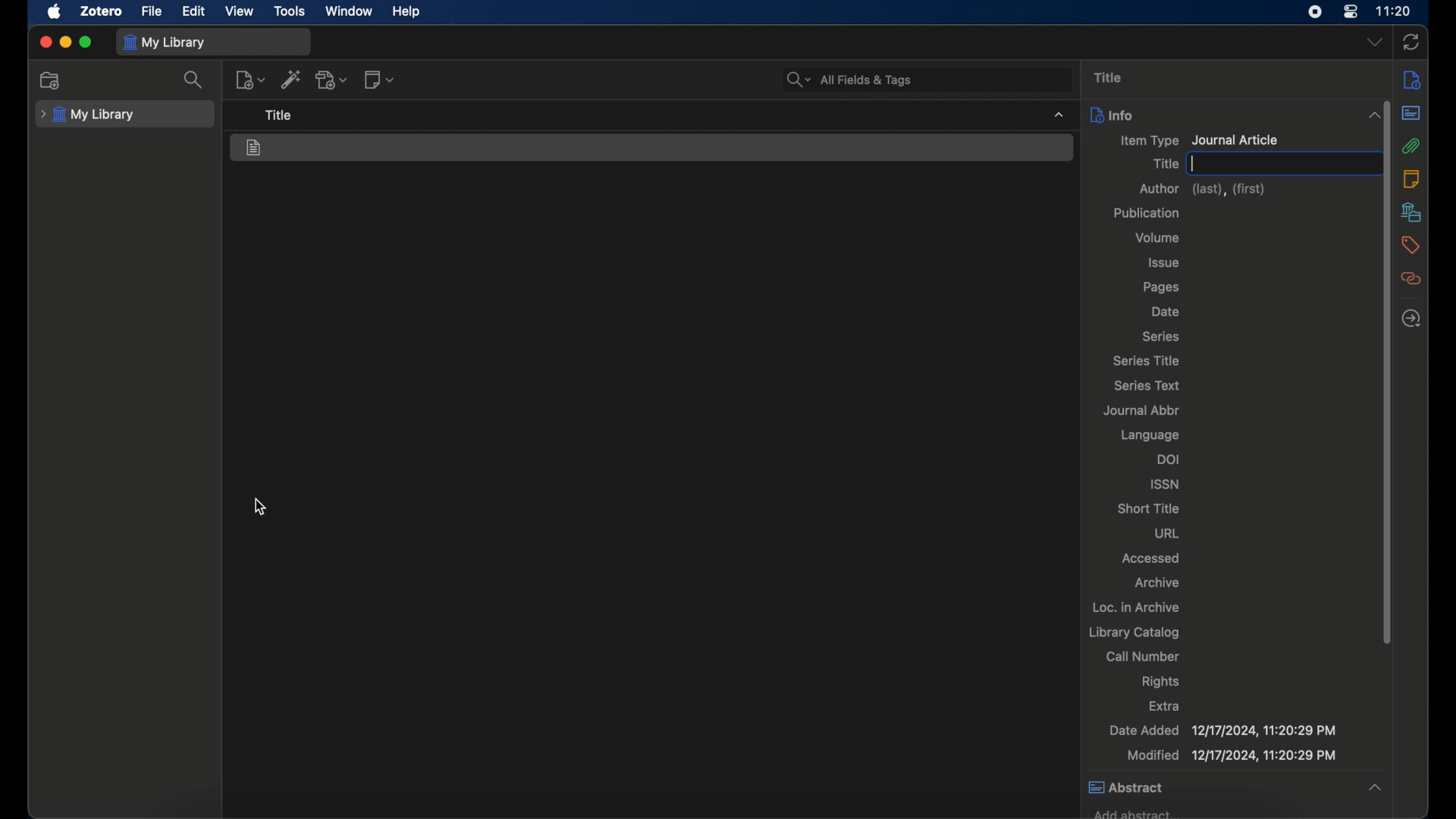 This screenshot has height=819, width=1456. I want to click on abstract, so click(1234, 788).